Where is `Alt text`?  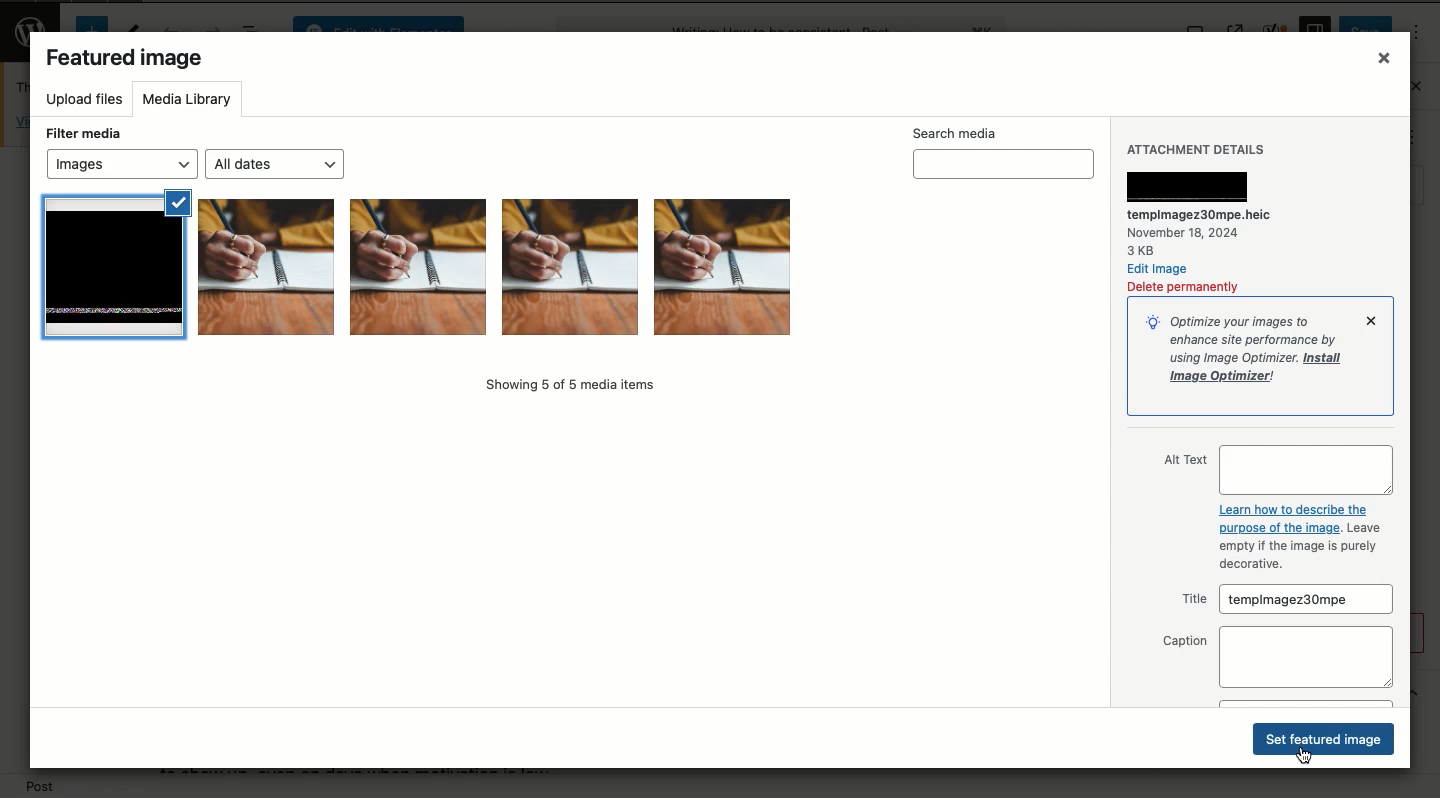 Alt text is located at coordinates (1277, 470).